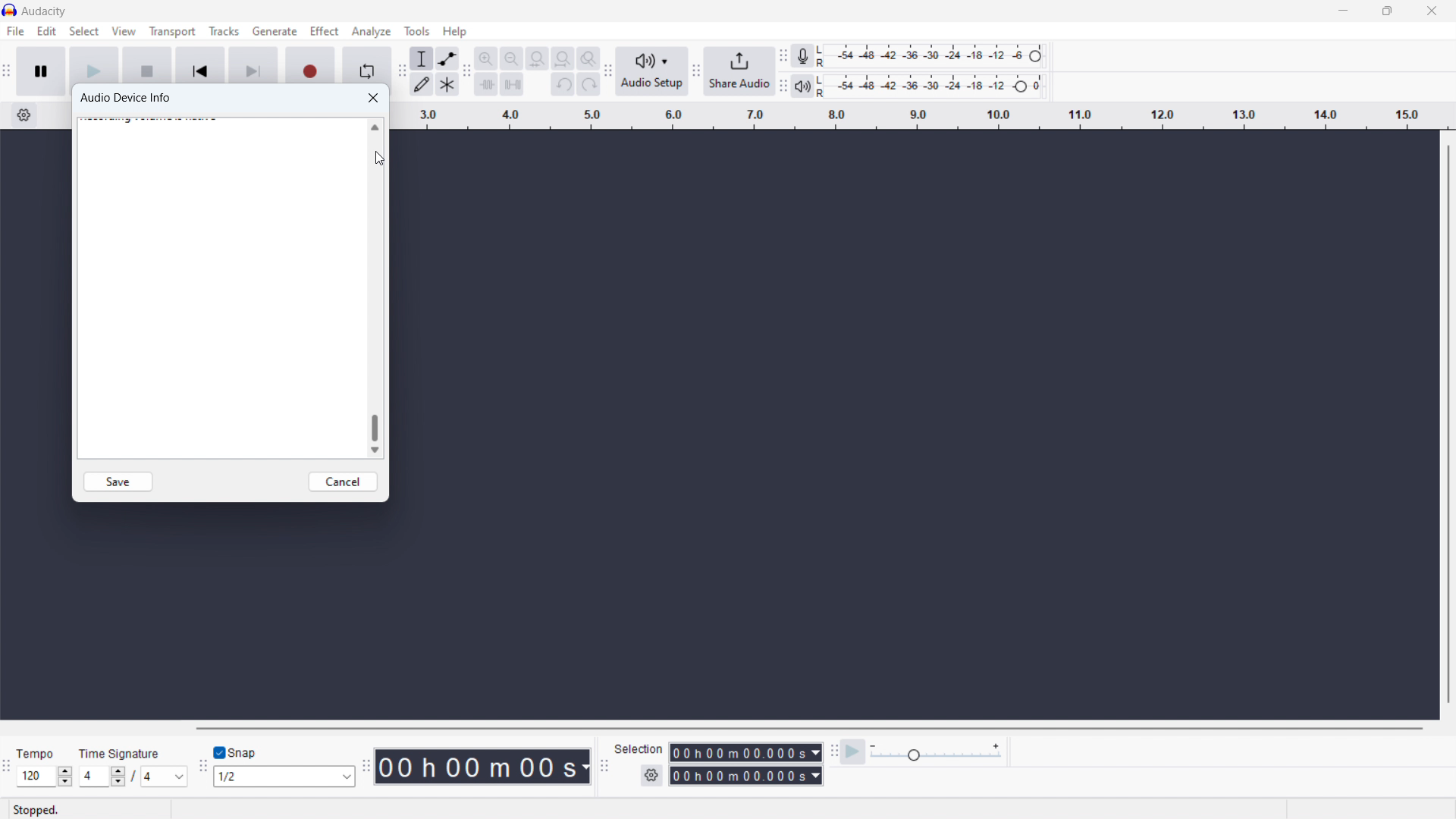  What do you see at coordinates (371, 31) in the screenshot?
I see `analyze` at bounding box center [371, 31].